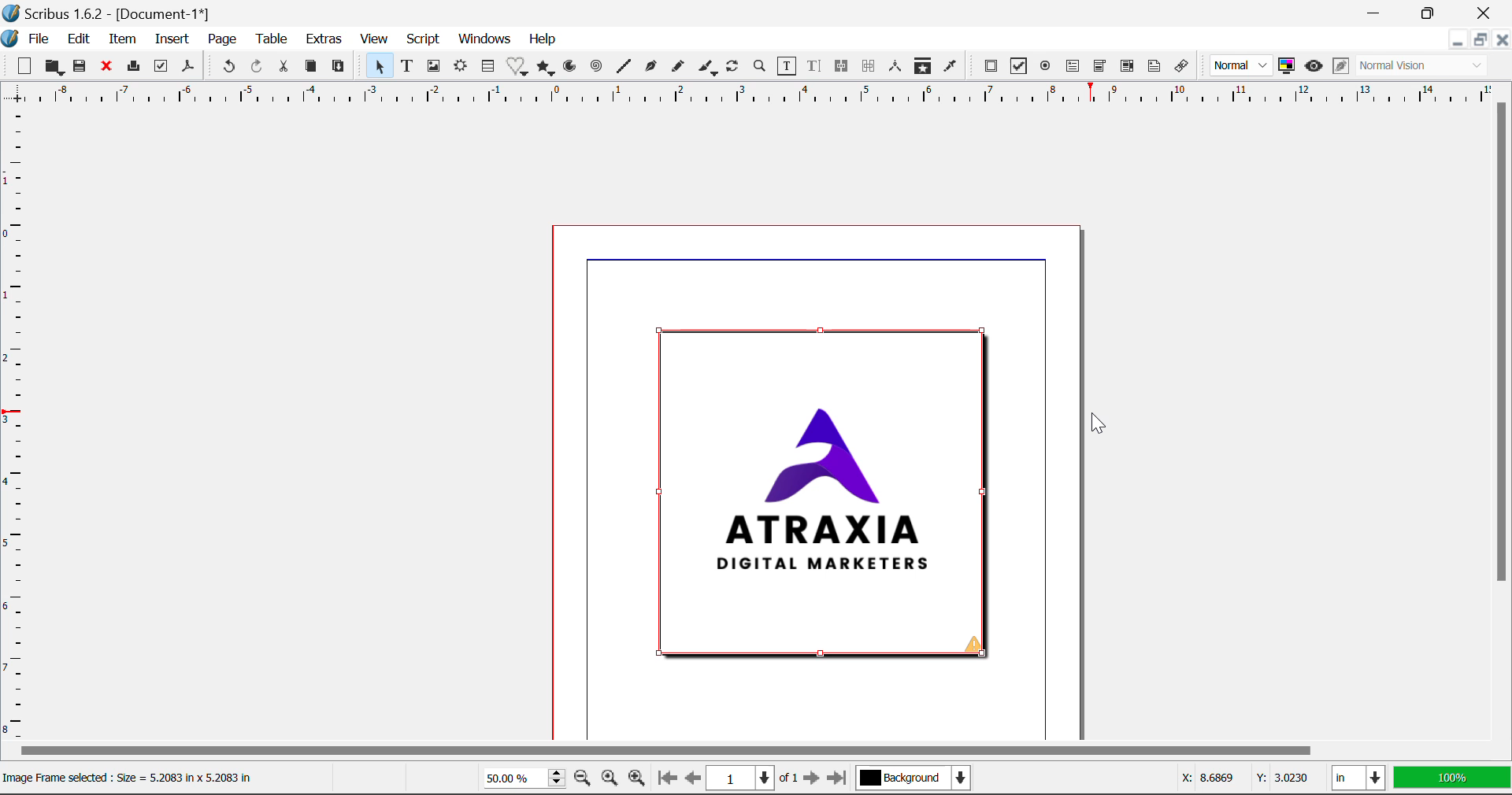 The width and height of the screenshot is (1512, 795). I want to click on Background, so click(917, 779).